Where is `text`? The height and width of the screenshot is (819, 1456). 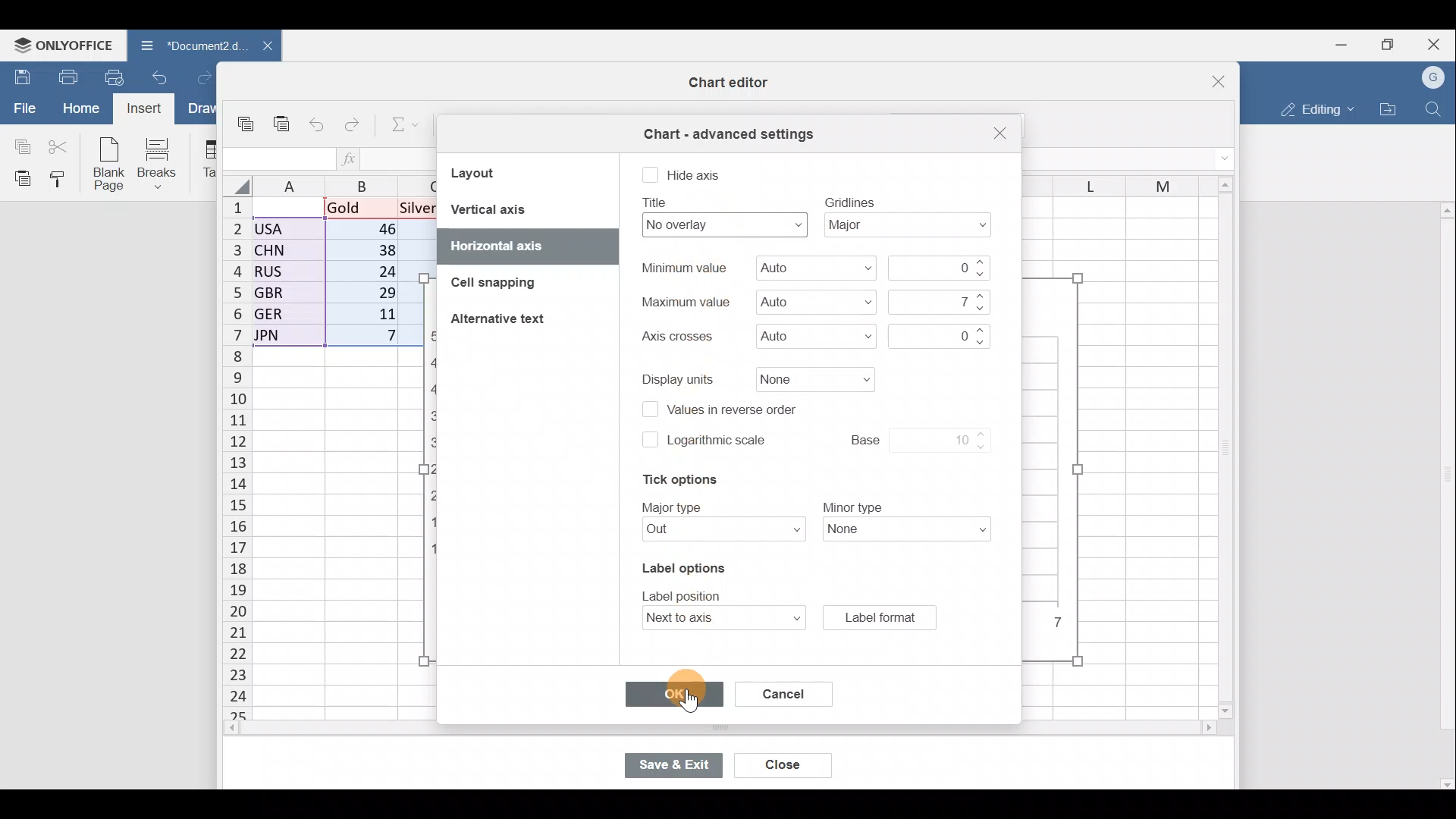 text is located at coordinates (675, 337).